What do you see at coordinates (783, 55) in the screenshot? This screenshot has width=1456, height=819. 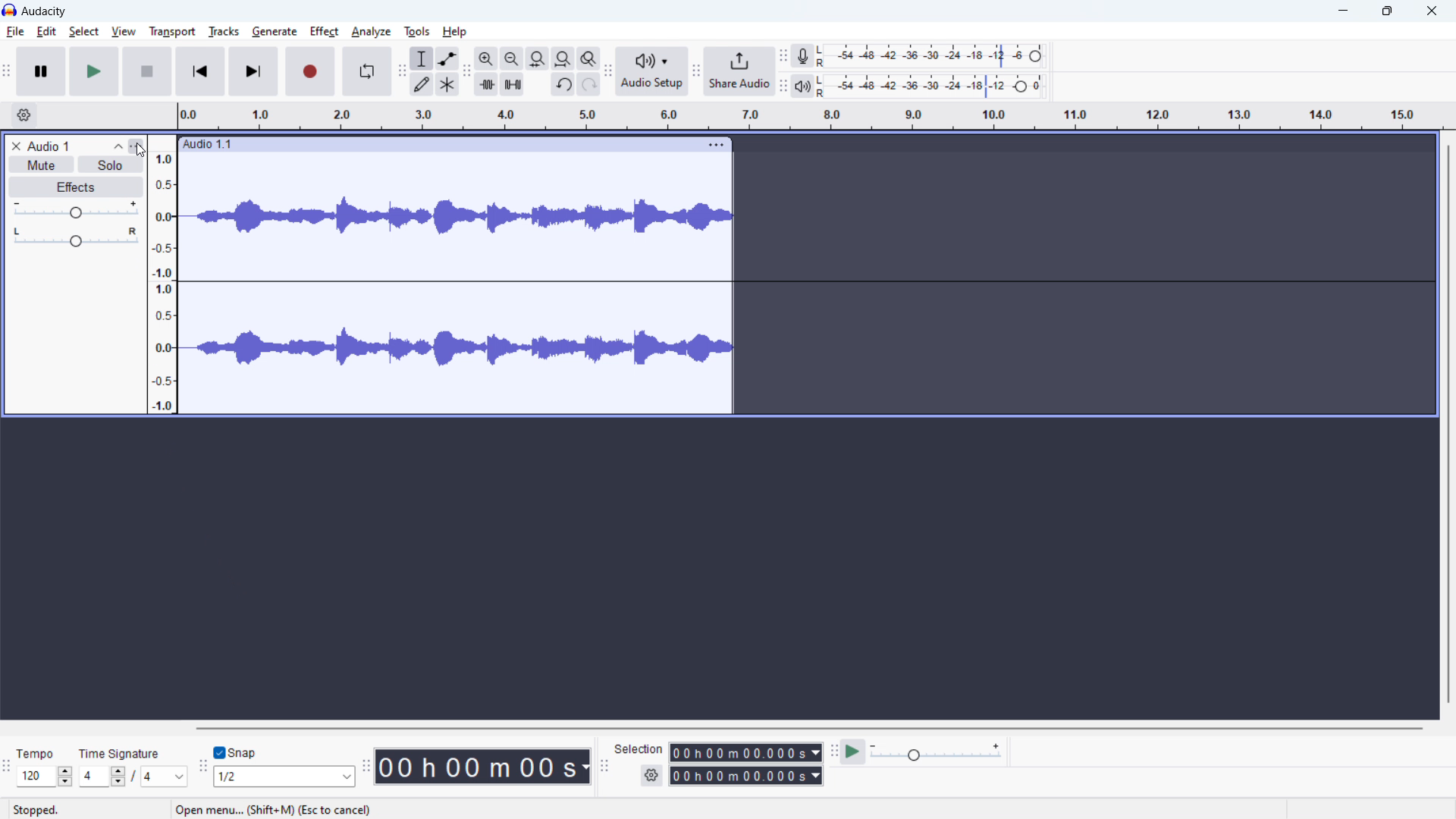 I see `recording meter toolbar` at bounding box center [783, 55].